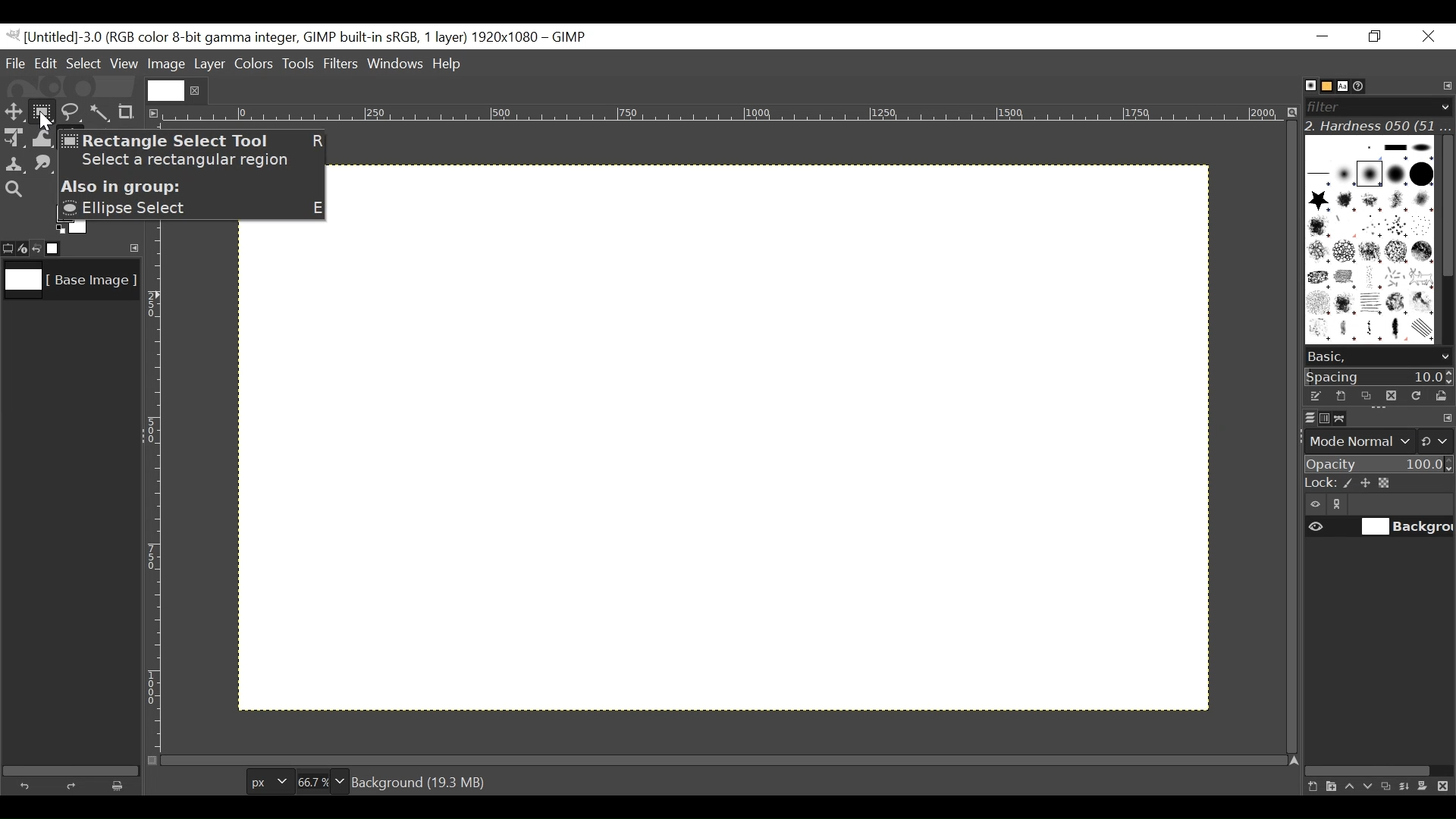 This screenshot has height=819, width=1456. What do you see at coordinates (47, 63) in the screenshot?
I see `Edit` at bounding box center [47, 63].